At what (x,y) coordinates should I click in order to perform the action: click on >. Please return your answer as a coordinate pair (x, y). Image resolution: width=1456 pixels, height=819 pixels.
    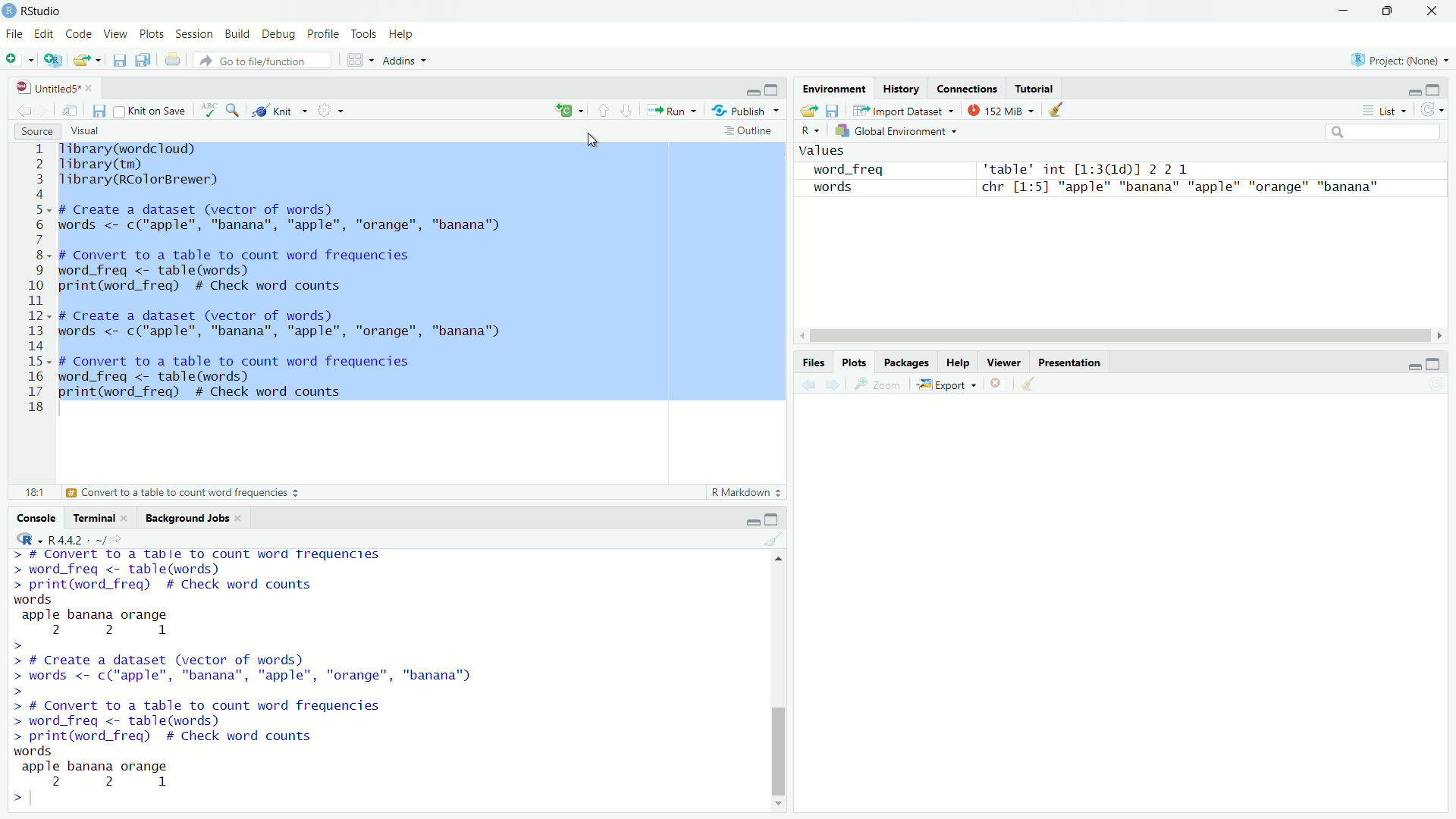
    Looking at the image, I should click on (22, 798).